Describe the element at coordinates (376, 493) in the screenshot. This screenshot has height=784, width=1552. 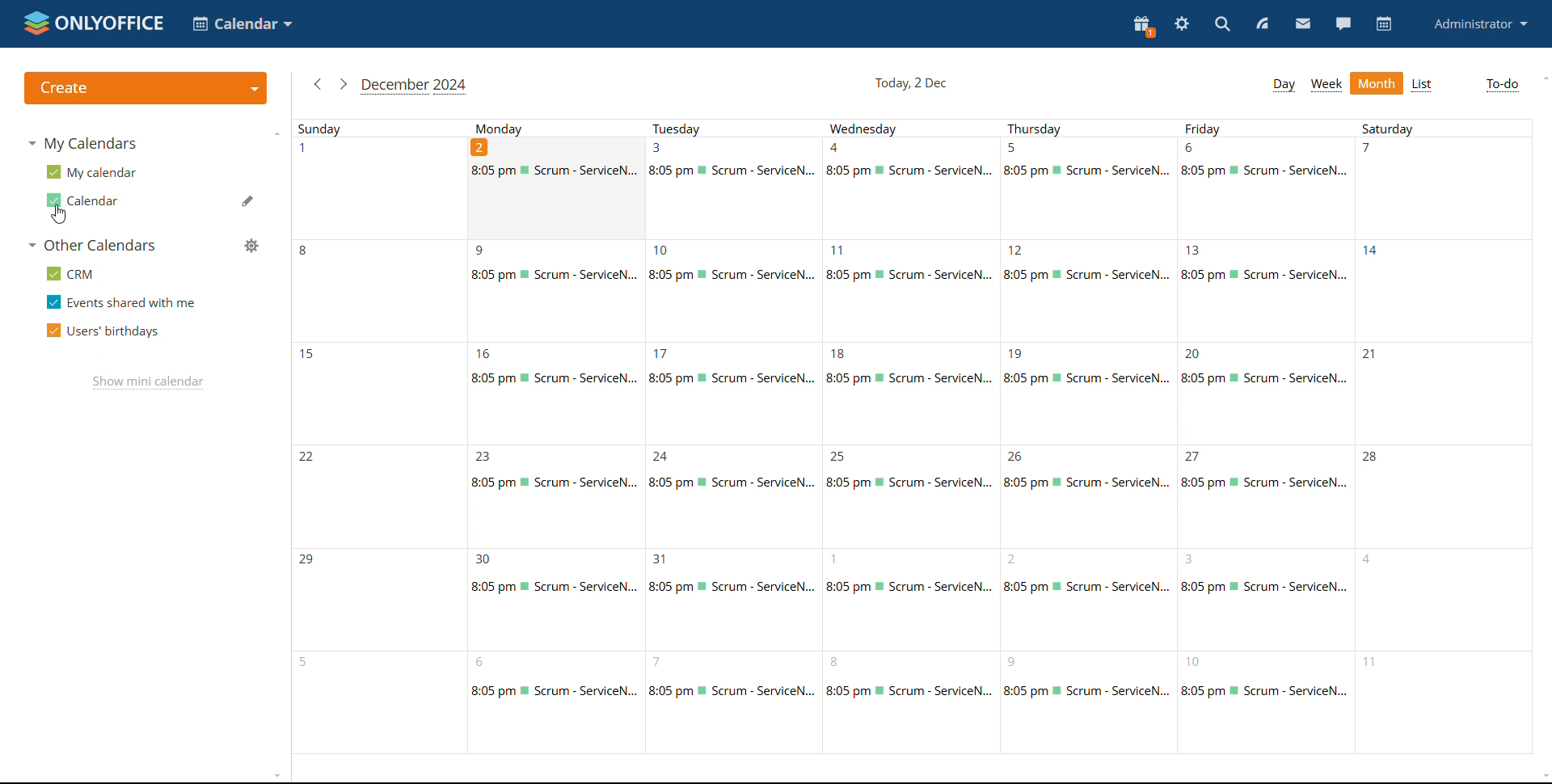
I see `22` at that location.